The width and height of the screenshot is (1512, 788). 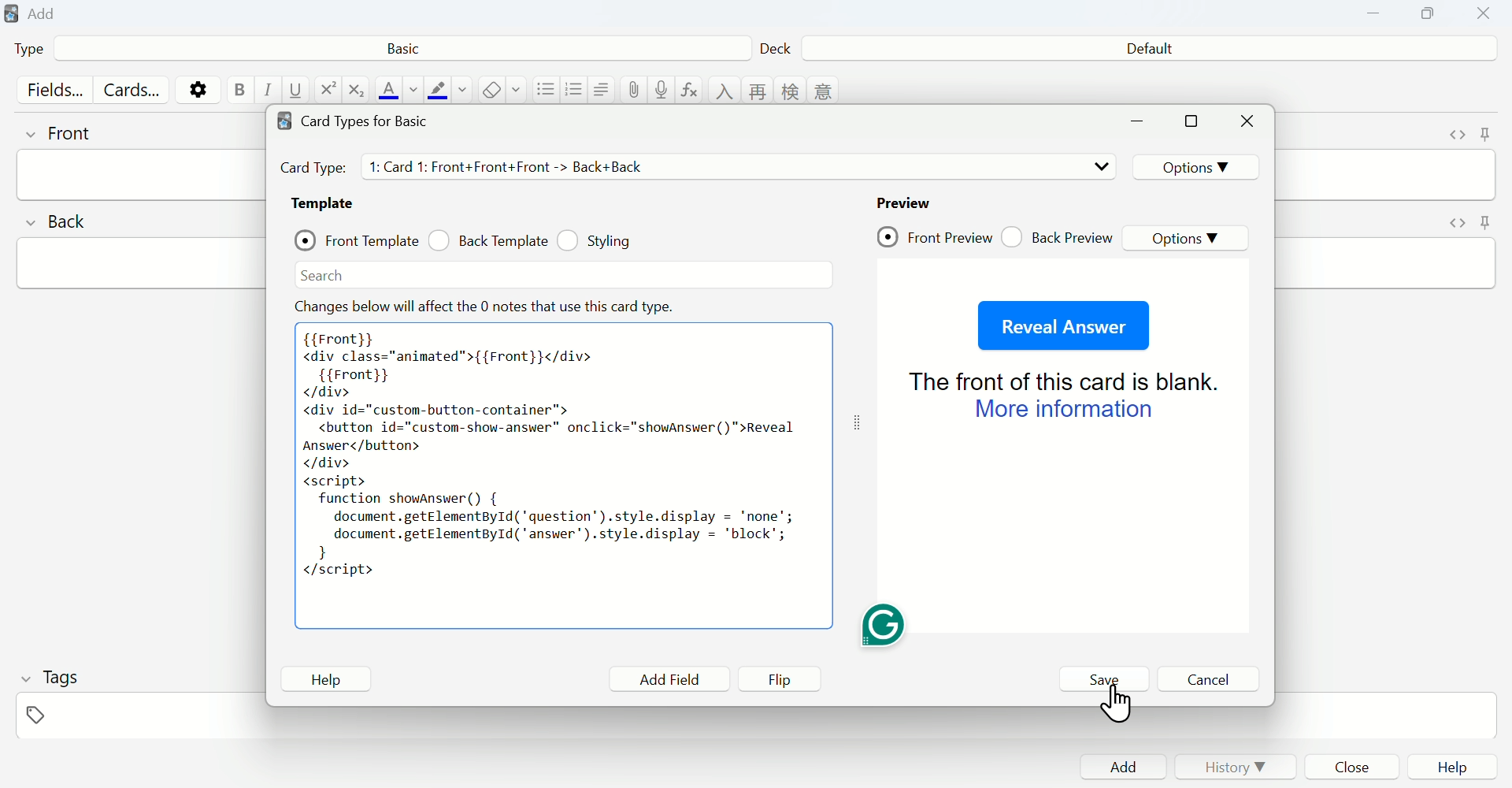 What do you see at coordinates (402, 46) in the screenshot?
I see `Basic` at bounding box center [402, 46].